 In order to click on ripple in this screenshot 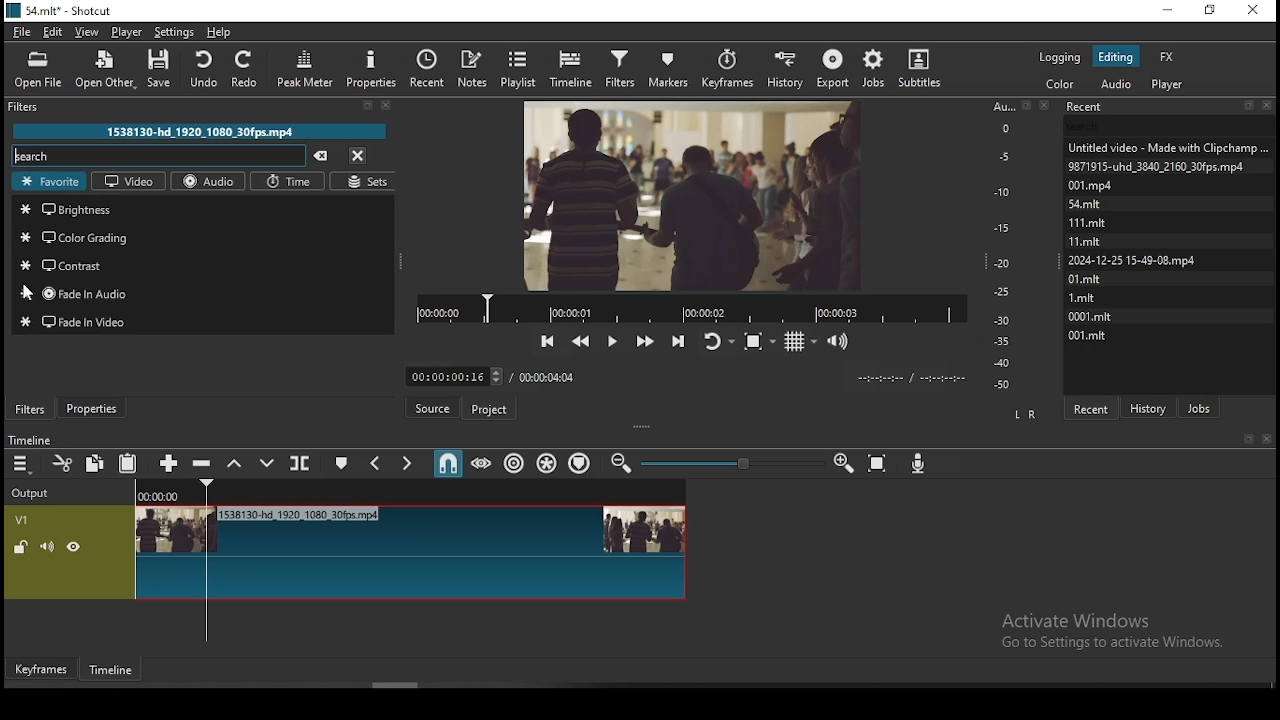, I will do `click(514, 462)`.